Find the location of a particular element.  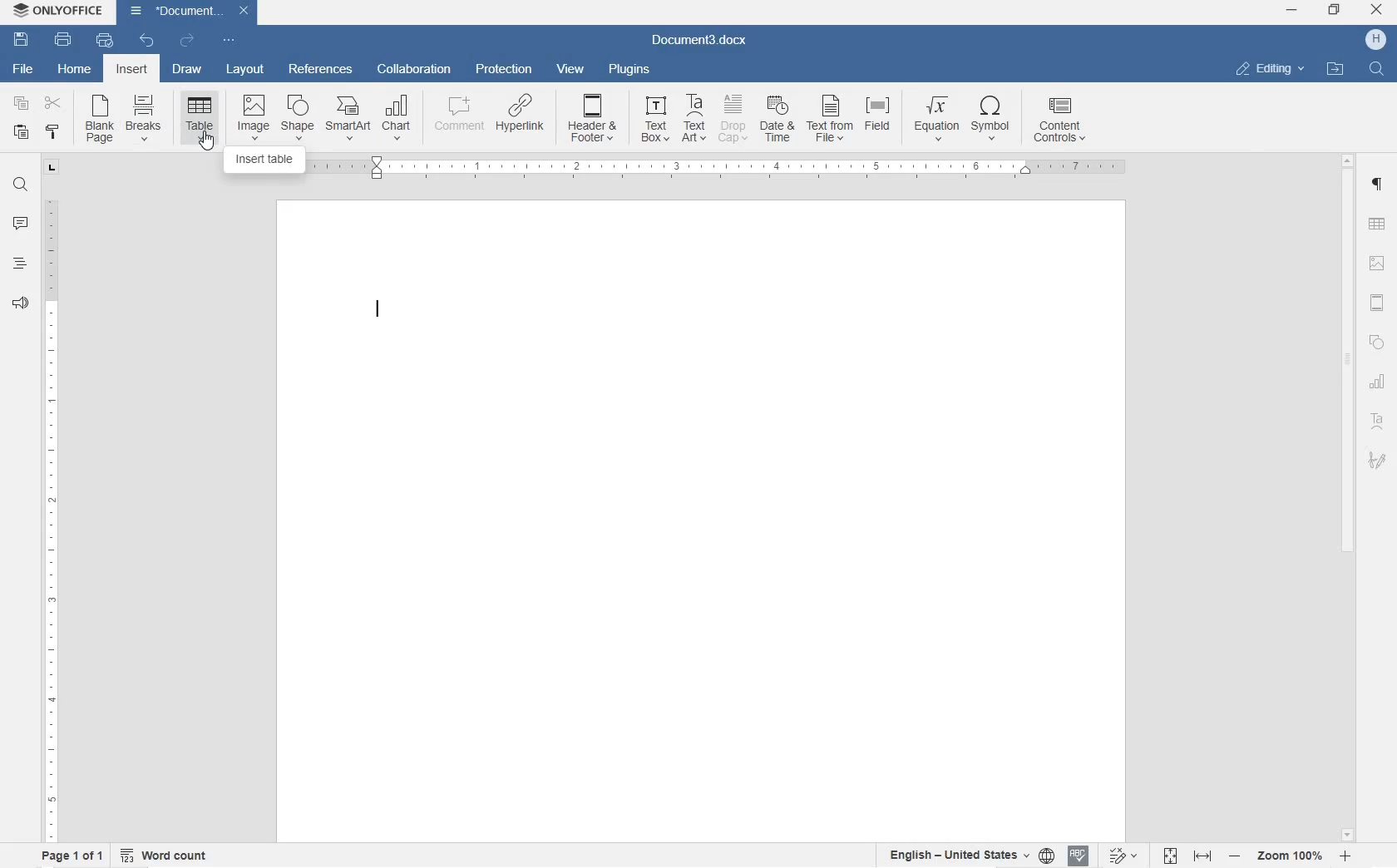

Breaks is located at coordinates (144, 117).